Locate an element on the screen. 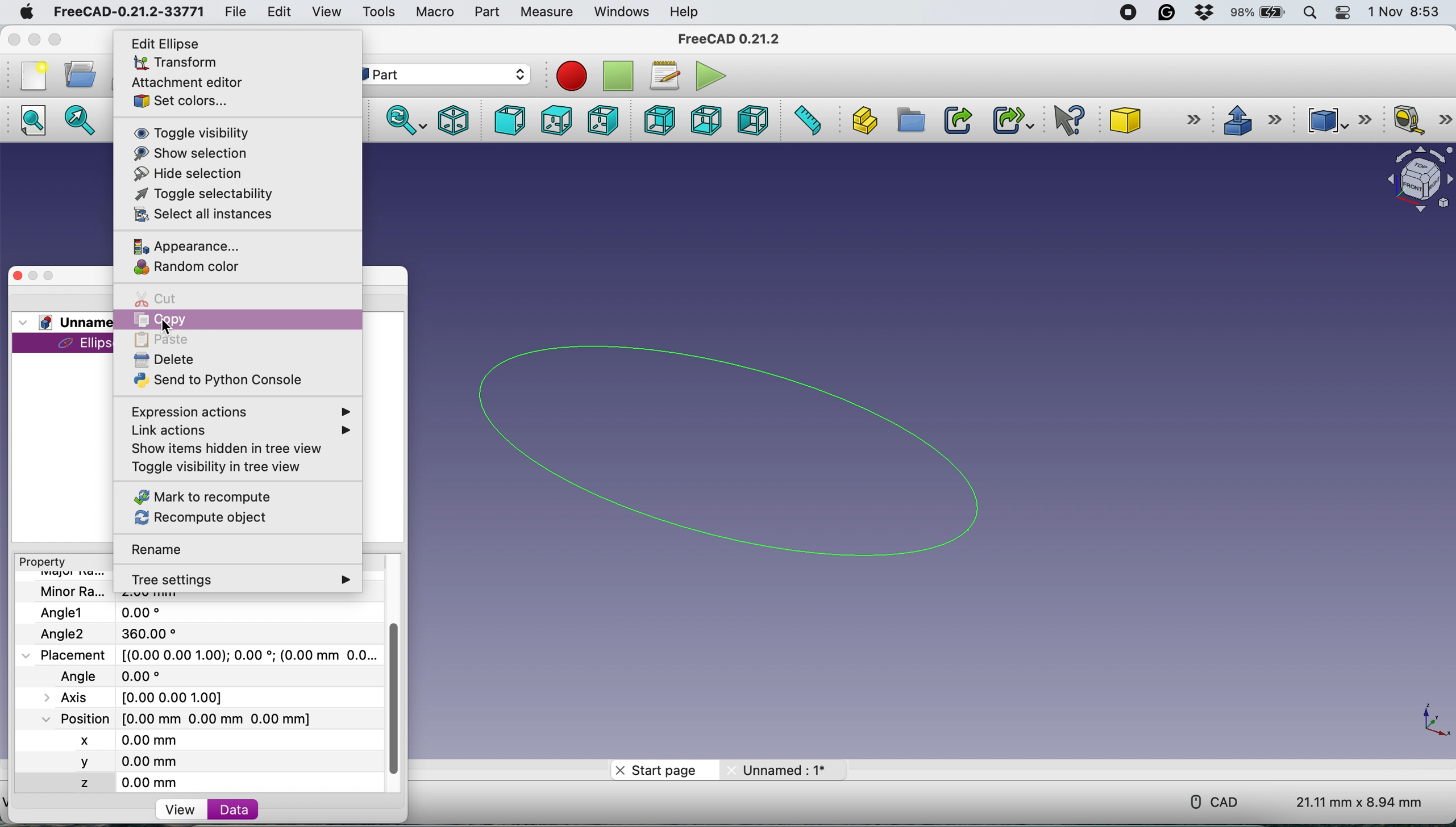 The width and height of the screenshot is (1456, 827). set colors is located at coordinates (181, 100).